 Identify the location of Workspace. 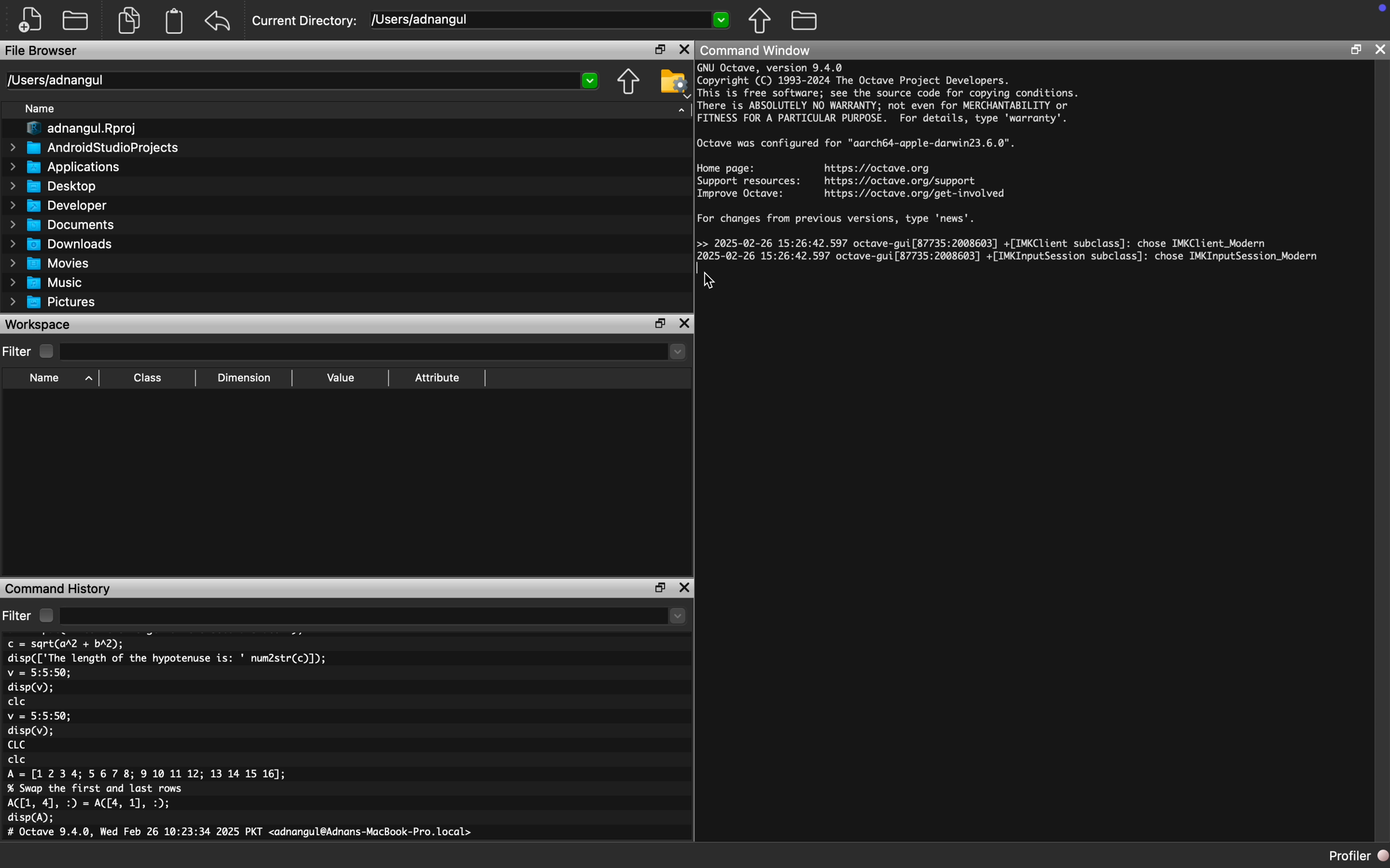
(39, 325).